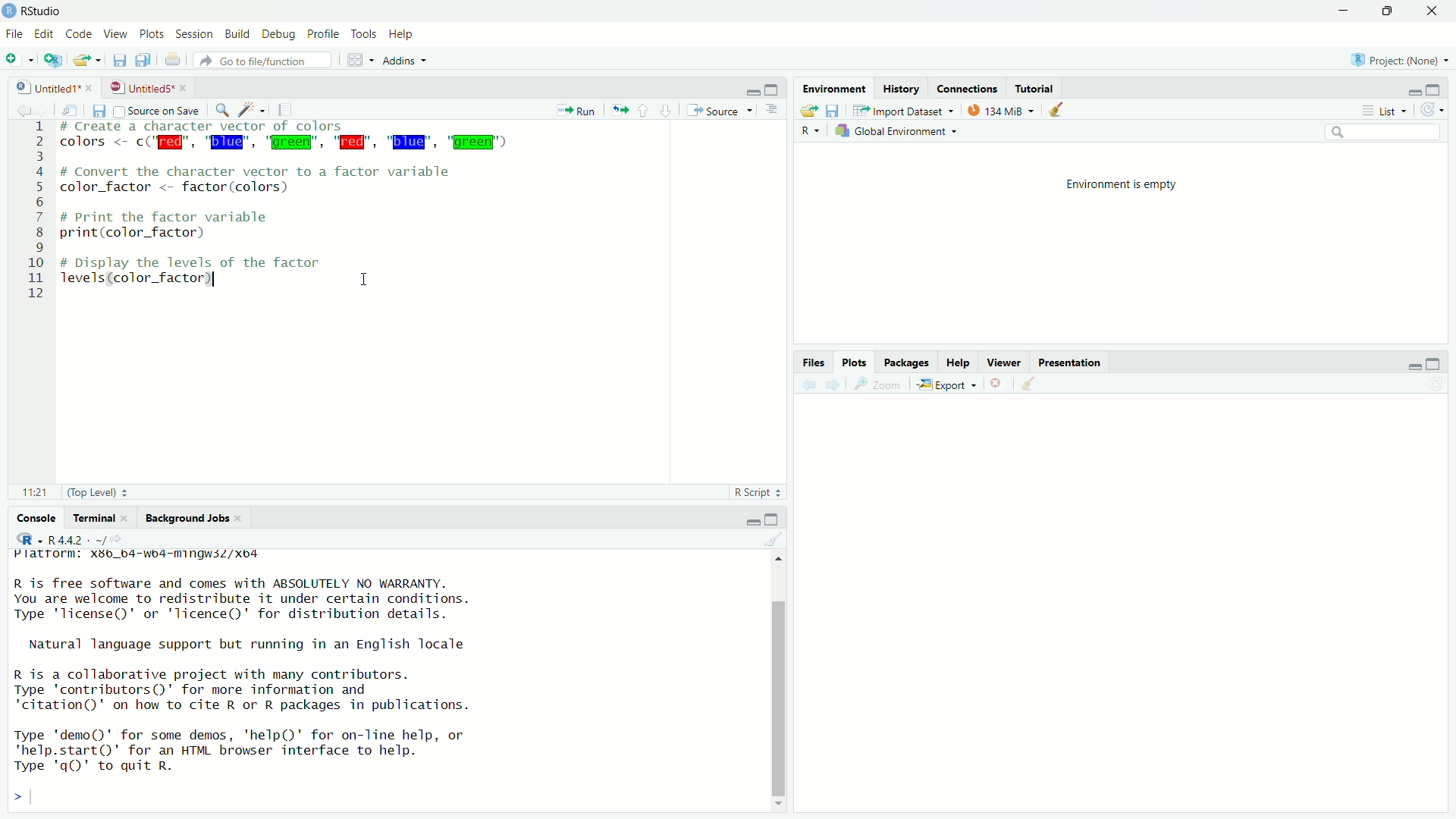  What do you see at coordinates (14, 35) in the screenshot?
I see `file` at bounding box center [14, 35].